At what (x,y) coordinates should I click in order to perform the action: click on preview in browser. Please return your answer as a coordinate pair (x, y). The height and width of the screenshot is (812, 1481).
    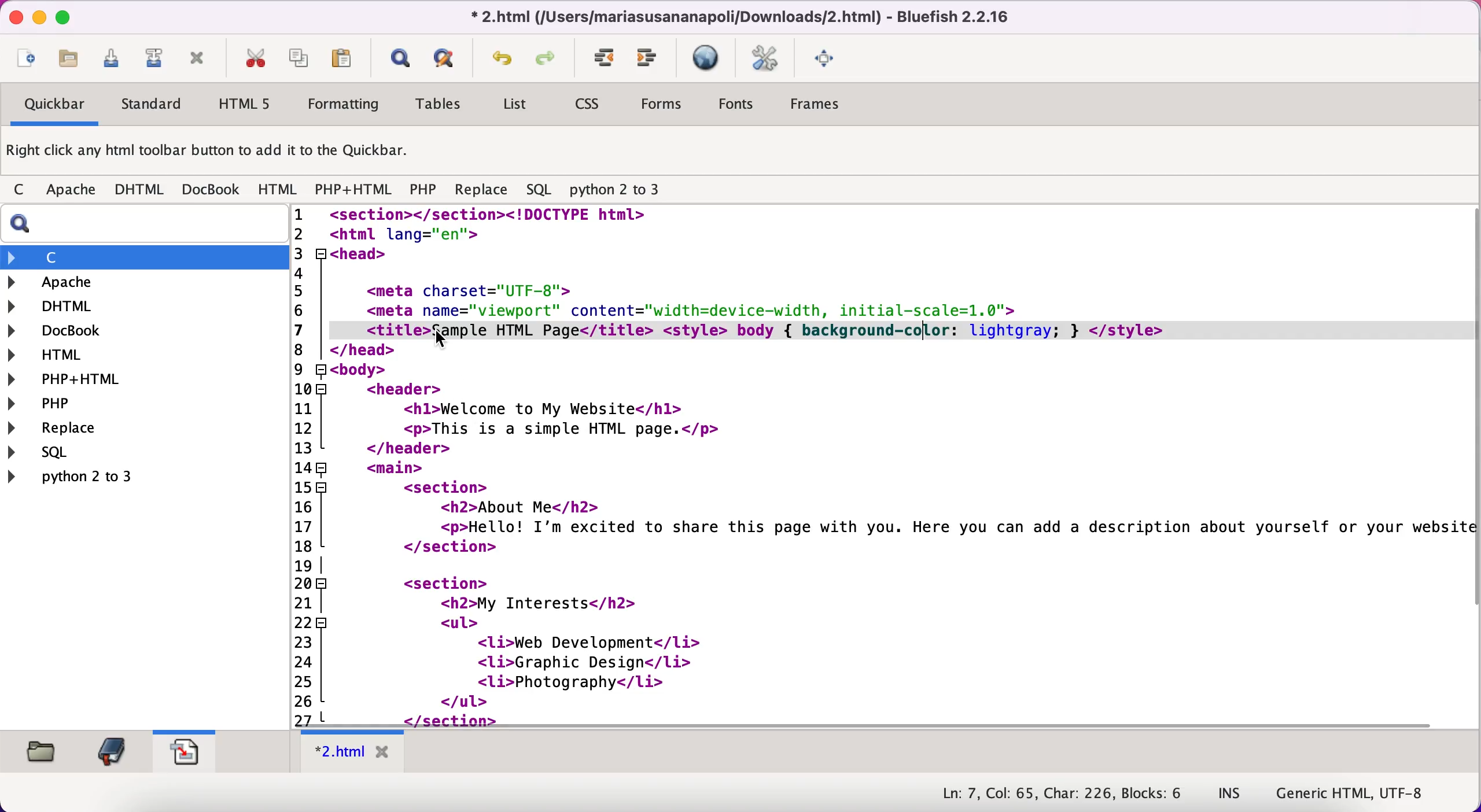
    Looking at the image, I should click on (708, 58).